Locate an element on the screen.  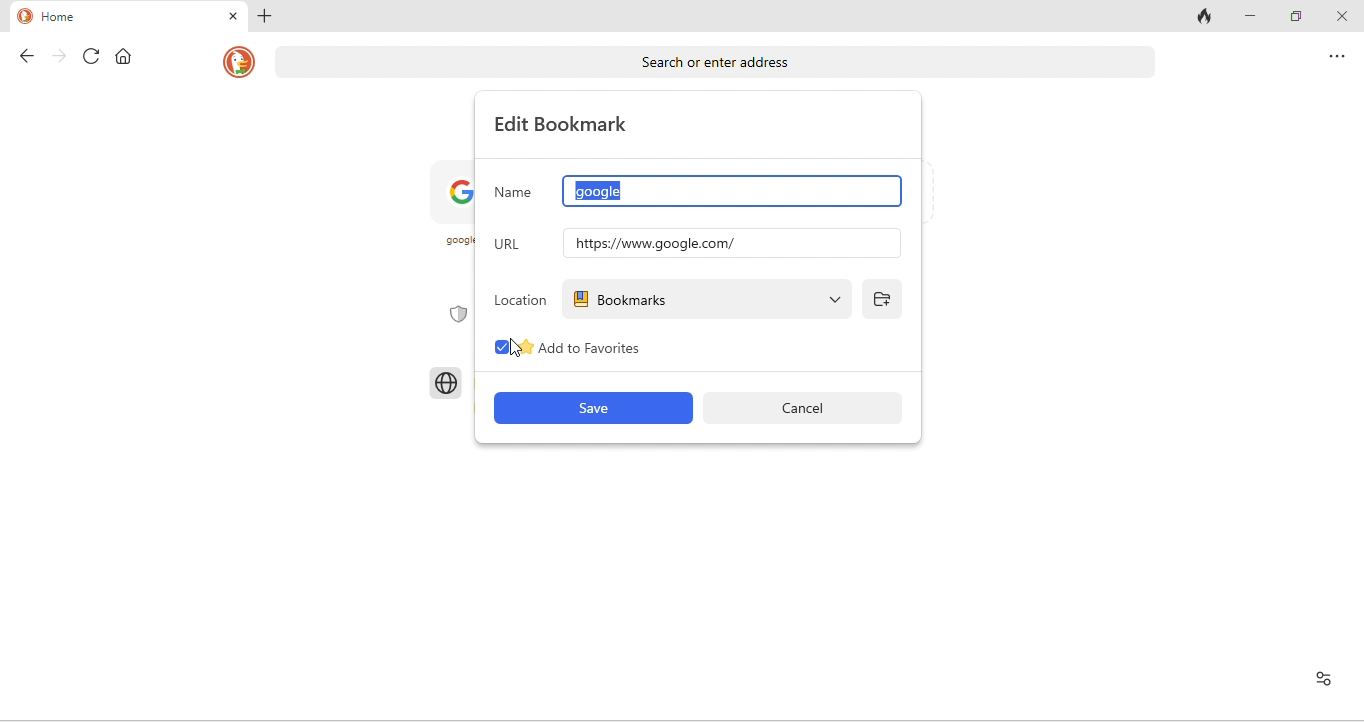
View site information is located at coordinates (1327, 681).